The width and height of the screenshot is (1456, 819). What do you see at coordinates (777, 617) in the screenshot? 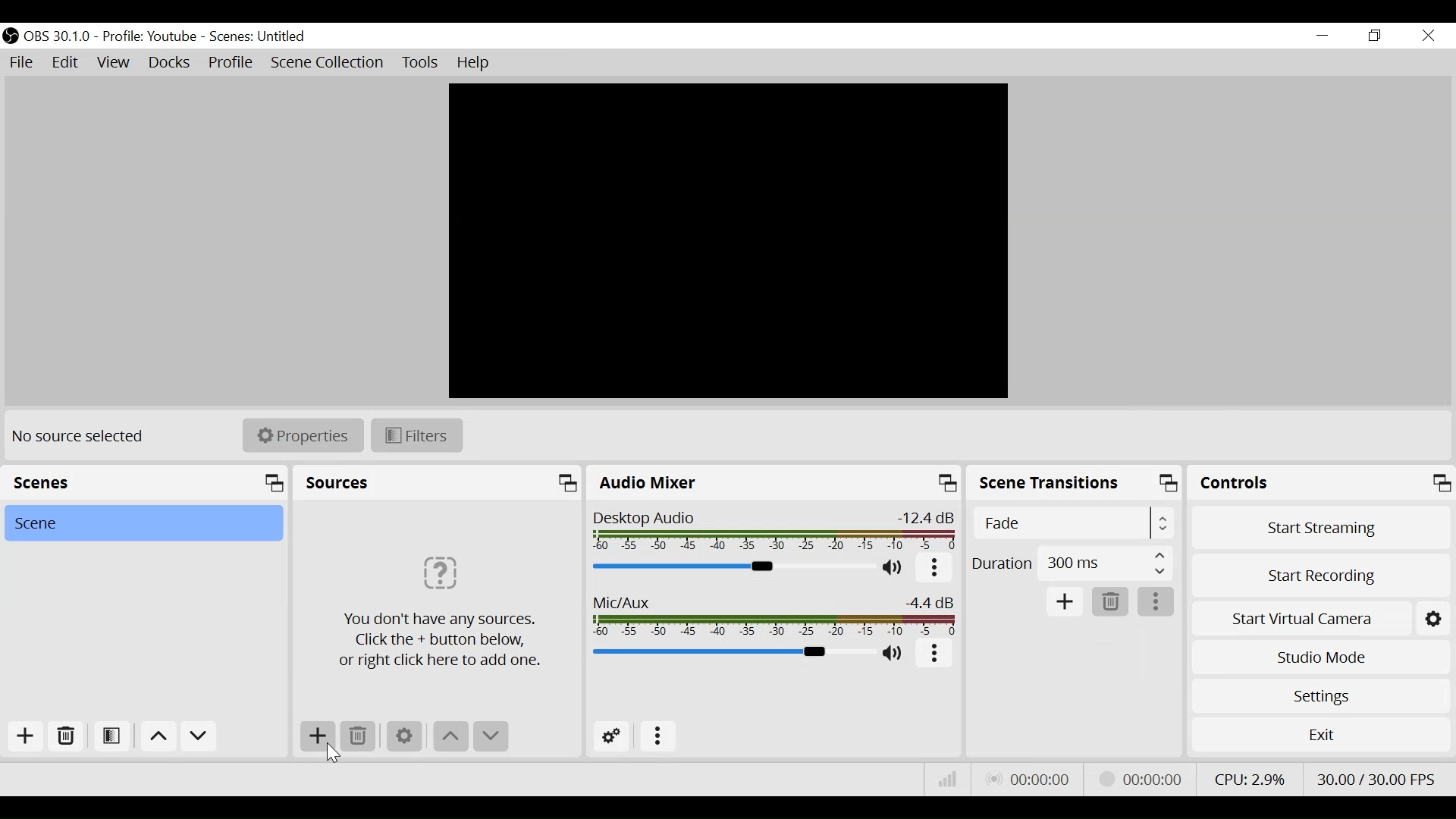
I see `Mic/Aux Slider` at bounding box center [777, 617].